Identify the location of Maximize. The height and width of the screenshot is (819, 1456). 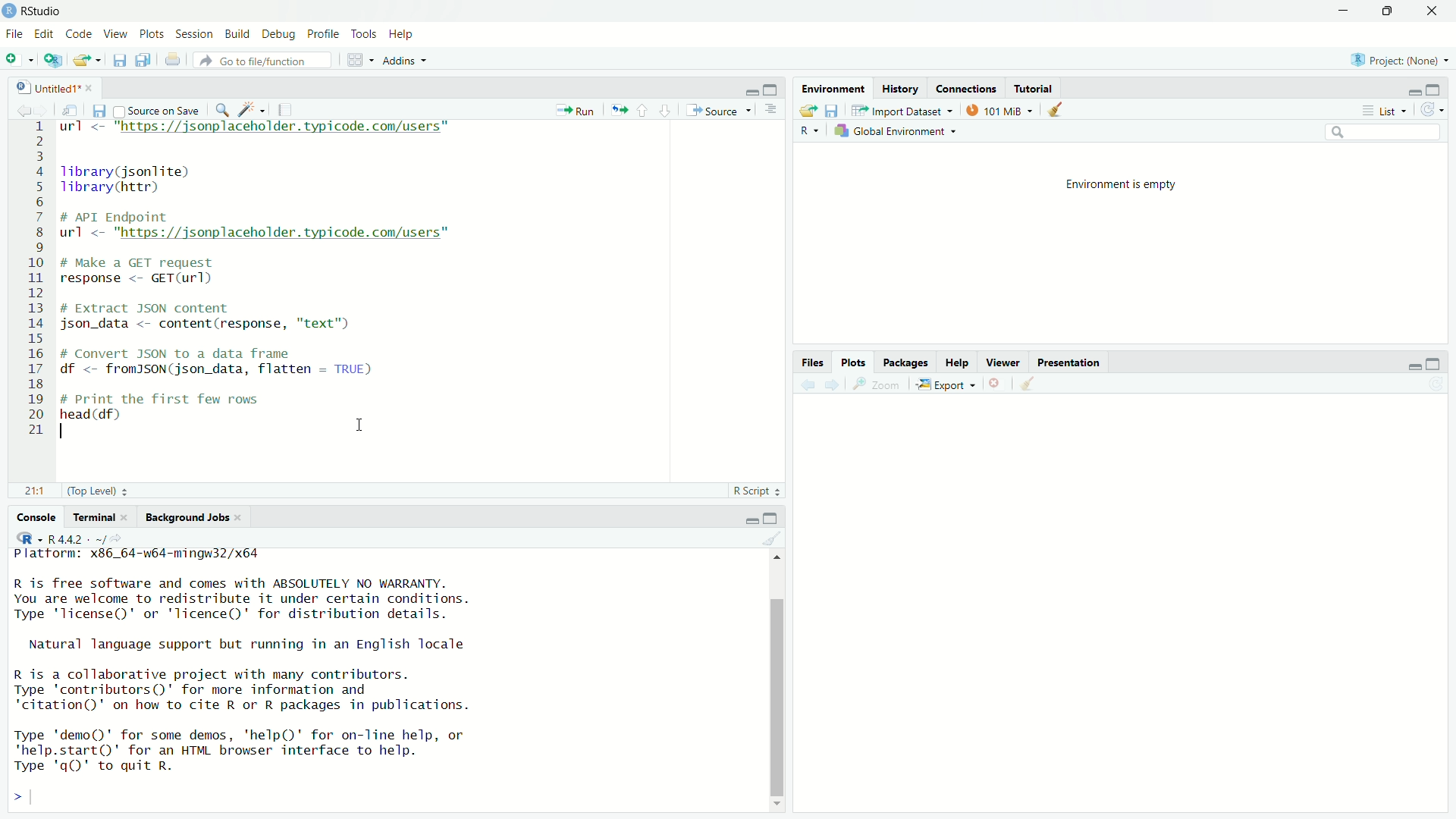
(771, 90).